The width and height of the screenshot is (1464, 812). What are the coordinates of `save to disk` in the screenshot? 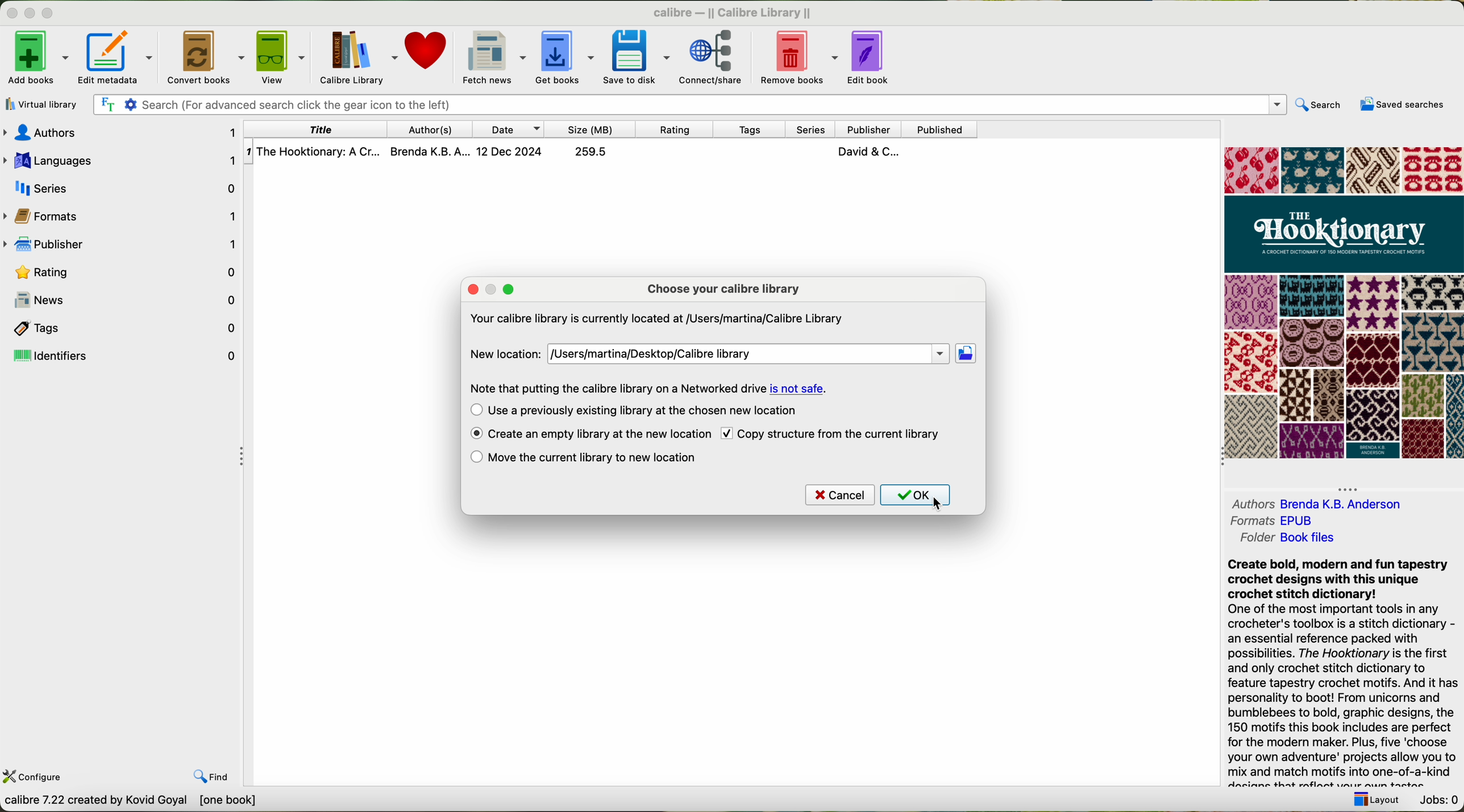 It's located at (638, 57).